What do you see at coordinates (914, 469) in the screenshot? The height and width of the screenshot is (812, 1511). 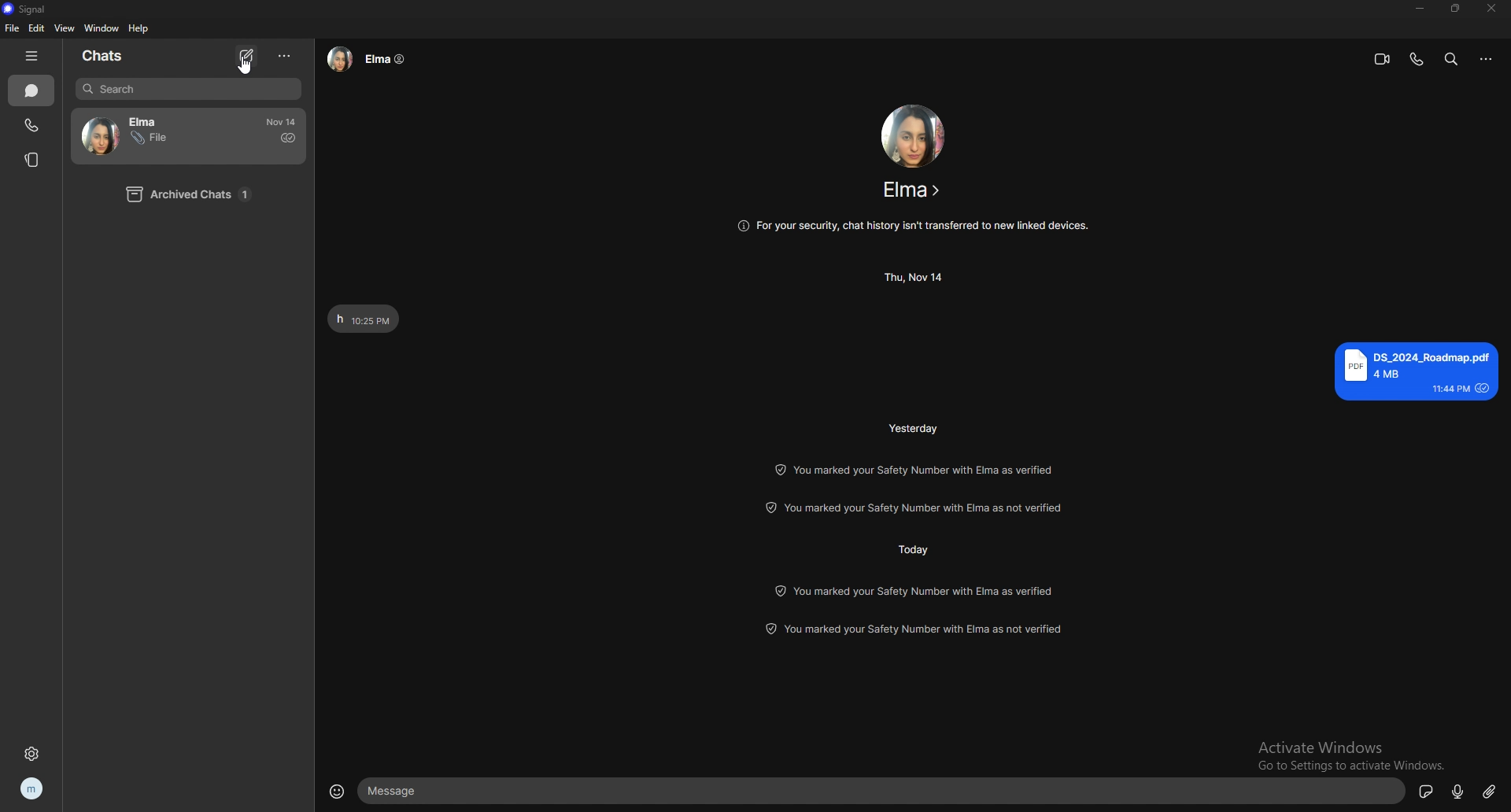 I see `update` at bounding box center [914, 469].